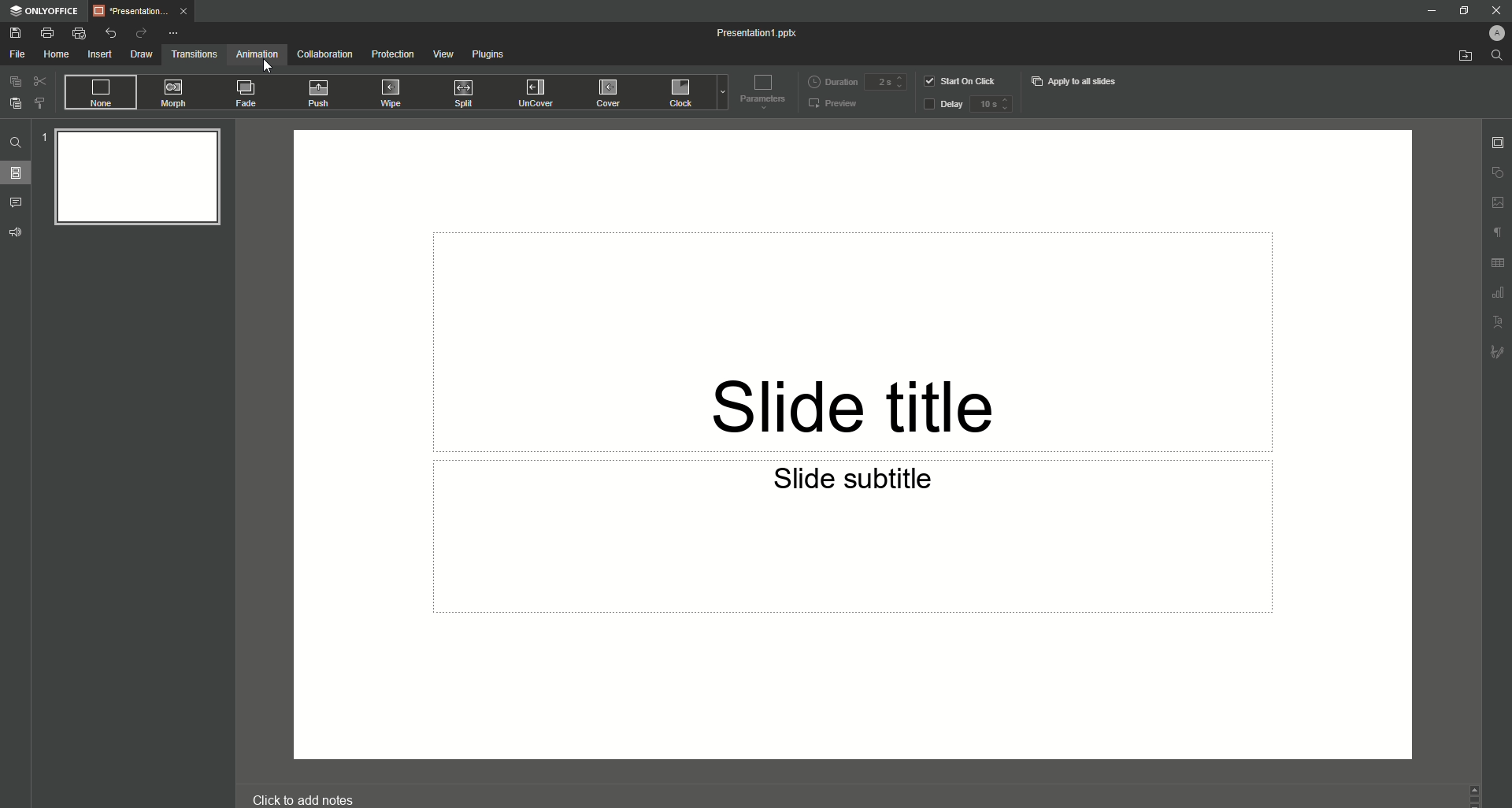  What do you see at coordinates (137, 33) in the screenshot?
I see `Redo` at bounding box center [137, 33].